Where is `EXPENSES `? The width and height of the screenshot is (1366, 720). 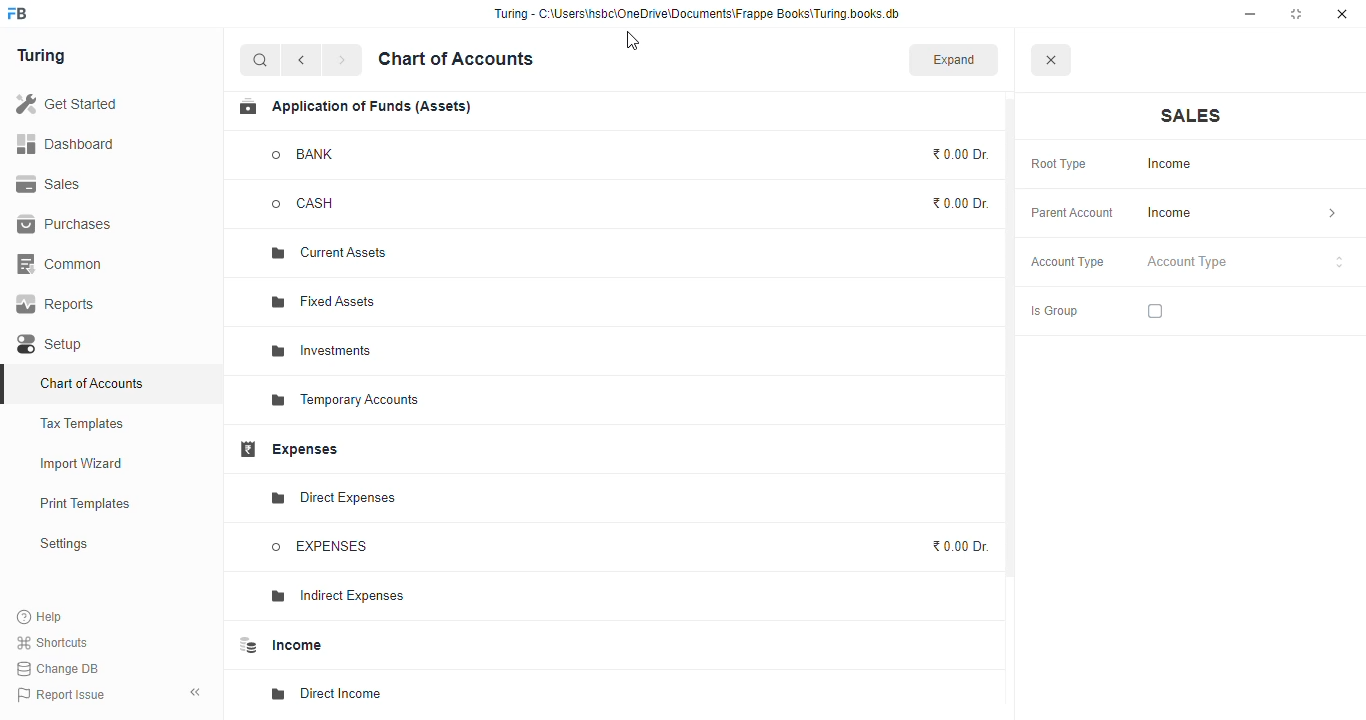 EXPENSES  is located at coordinates (320, 547).